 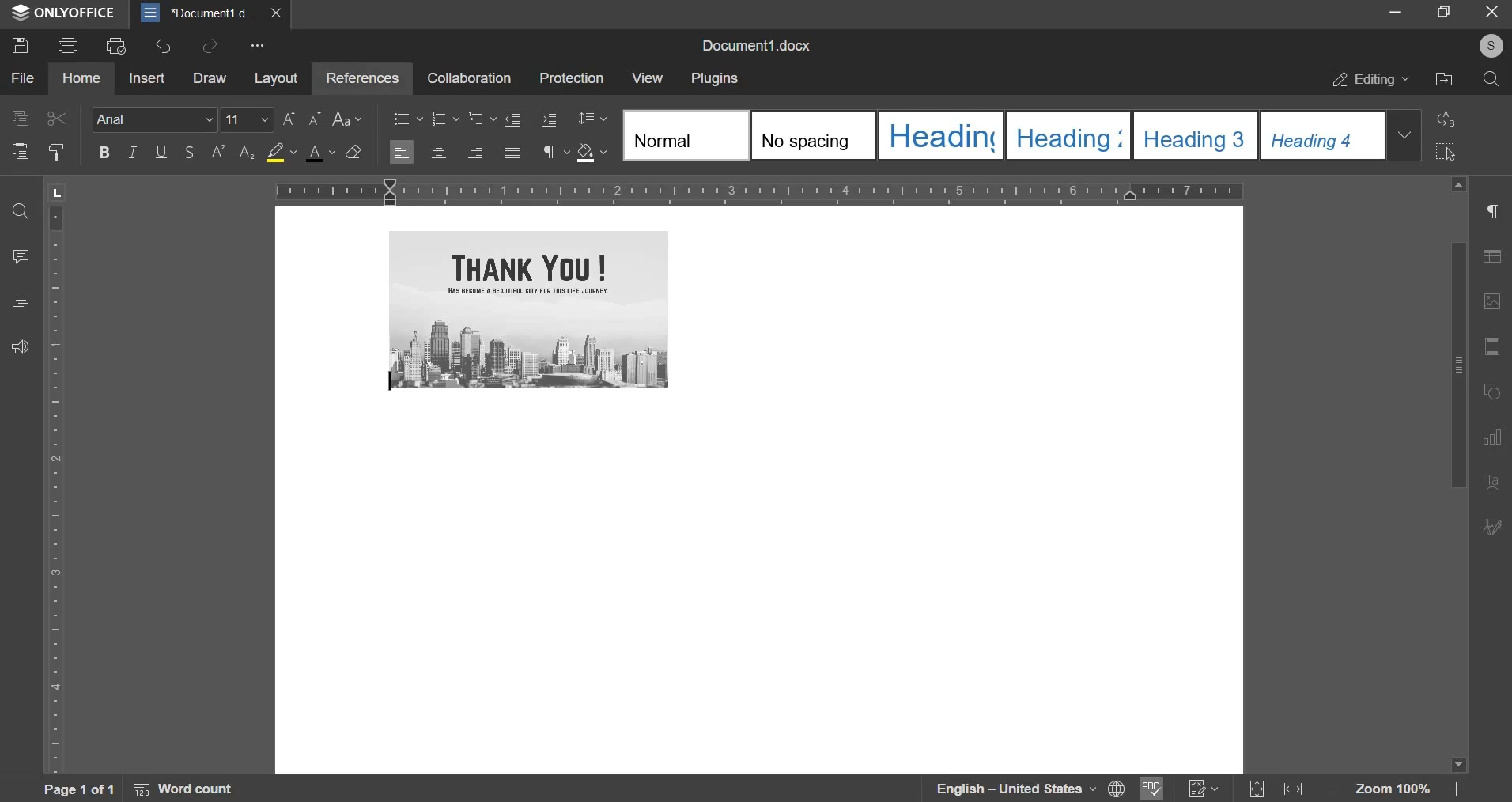 I want to click on Set Document Language, so click(x=1117, y=788).